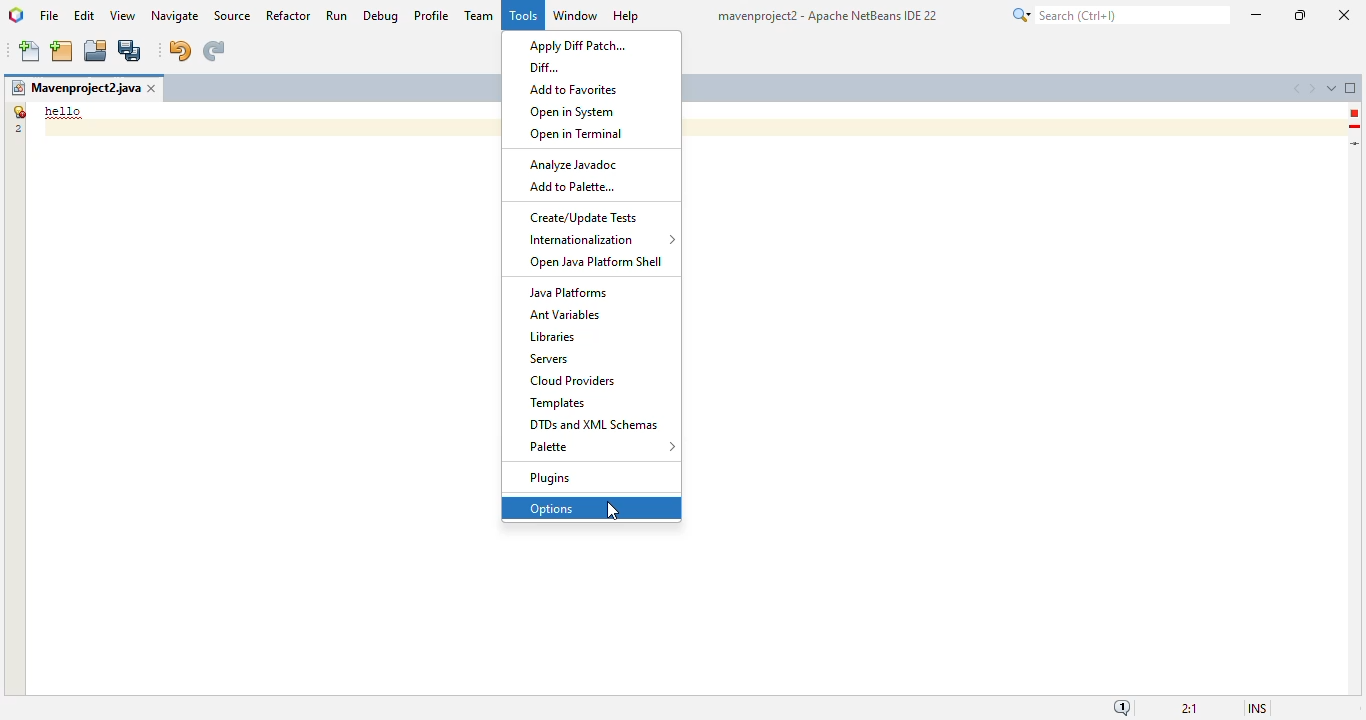 The image size is (1366, 720). Describe the element at coordinates (627, 17) in the screenshot. I see `help` at that location.